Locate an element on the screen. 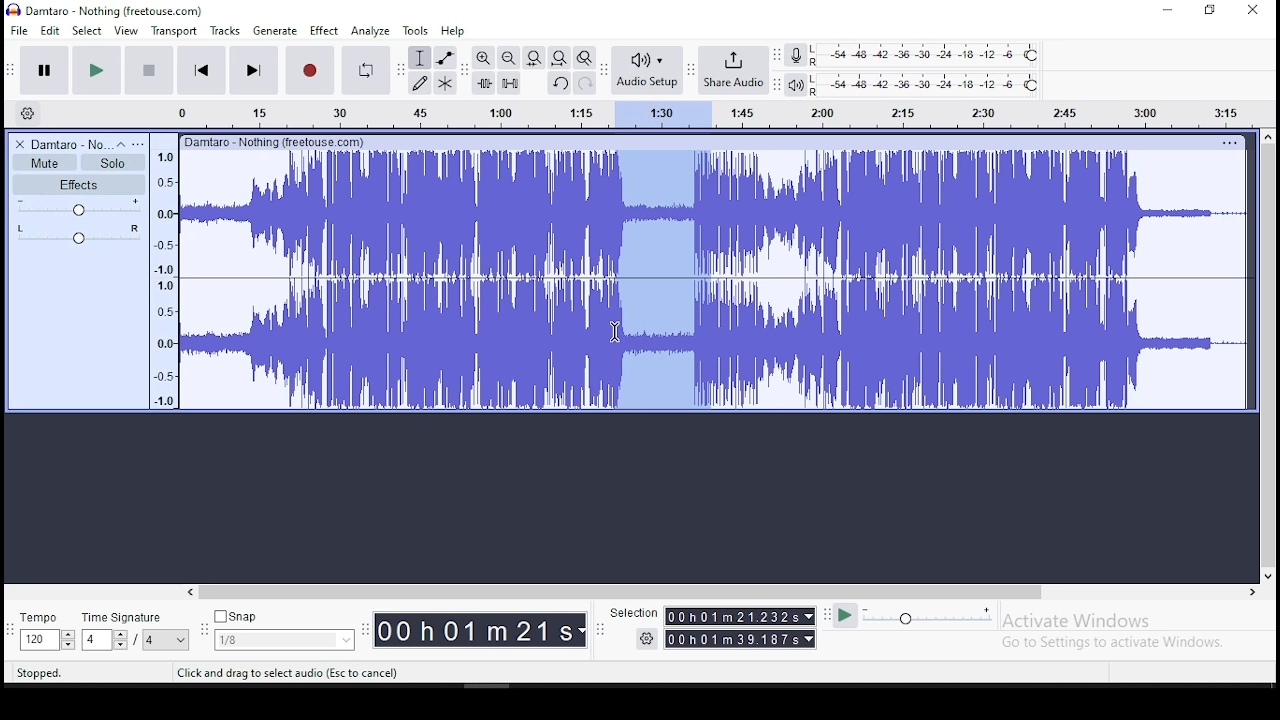 The height and width of the screenshot is (720, 1280). timeline settings is located at coordinates (26, 112).